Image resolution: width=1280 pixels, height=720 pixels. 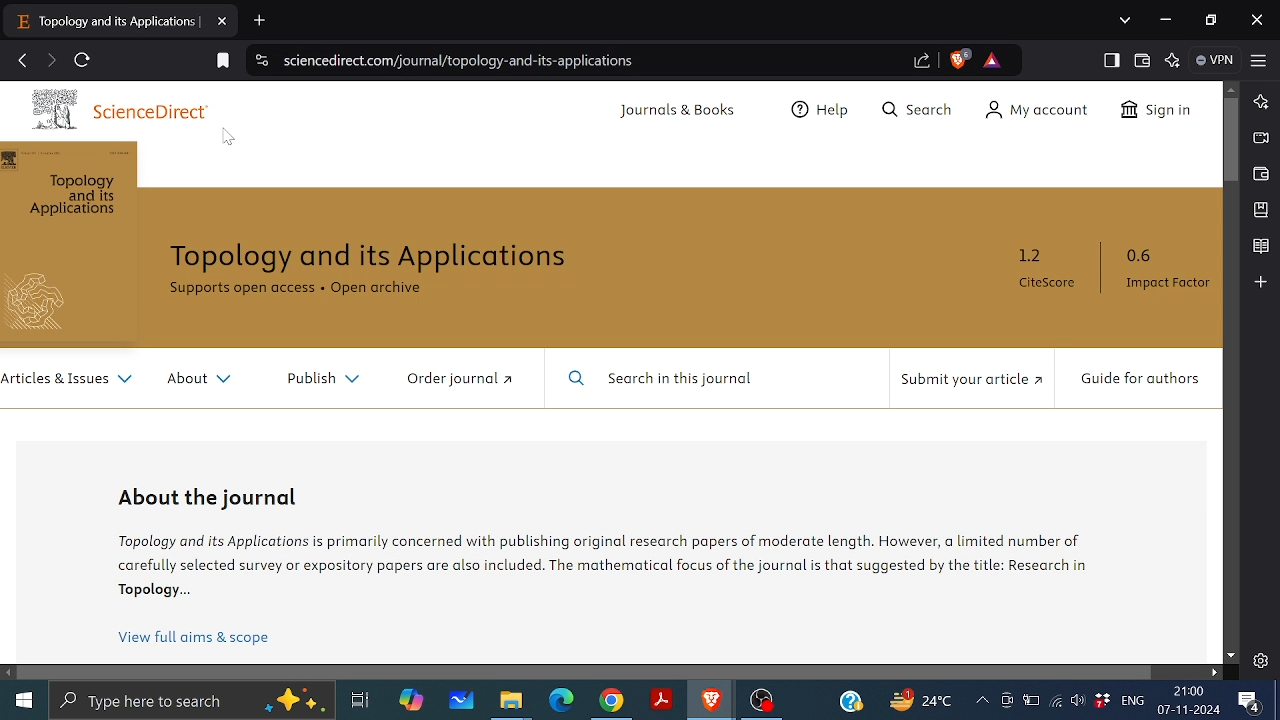 What do you see at coordinates (101, 21) in the screenshot?
I see `Tab in a new window` at bounding box center [101, 21].